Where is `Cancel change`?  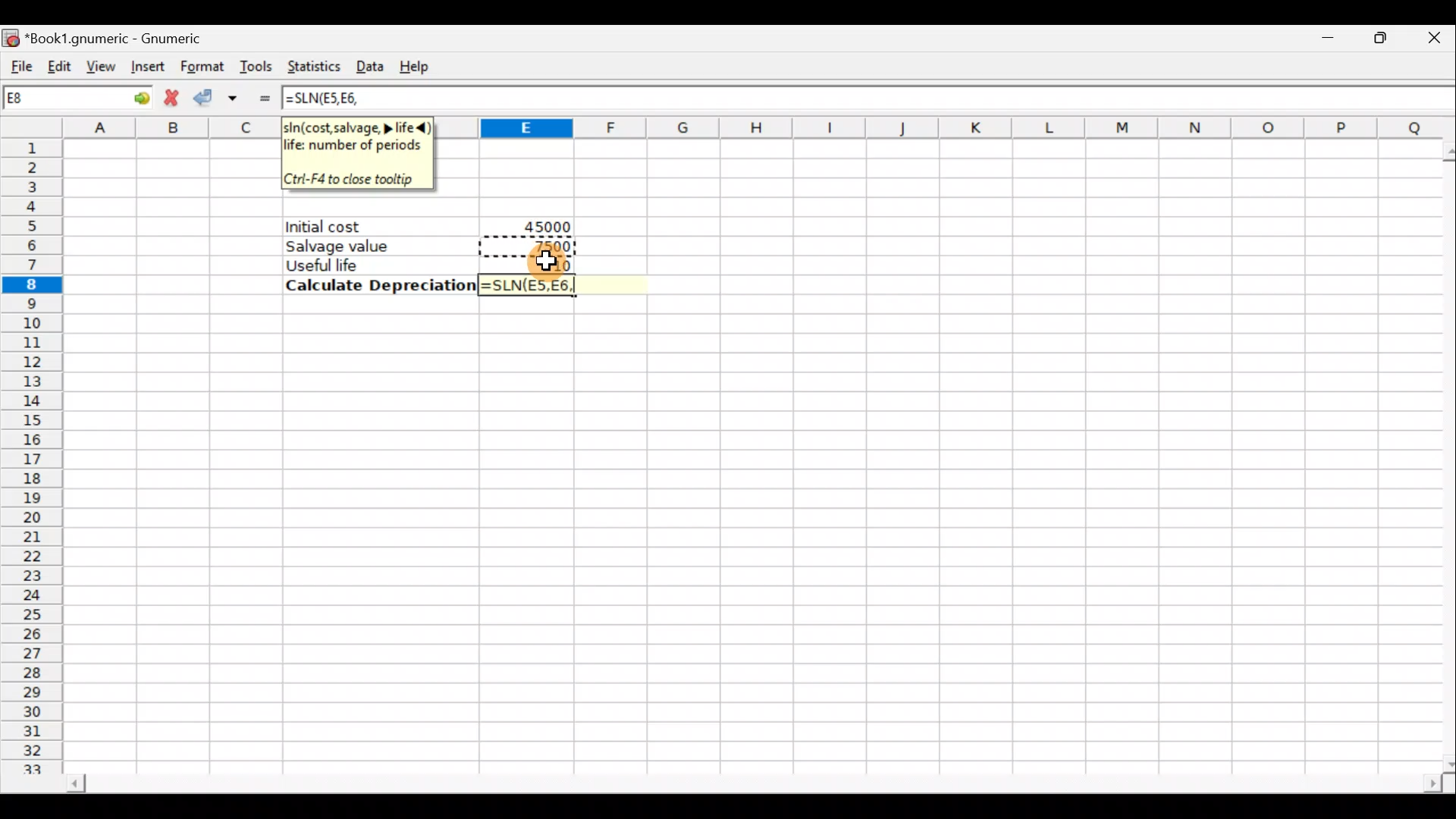 Cancel change is located at coordinates (172, 98).